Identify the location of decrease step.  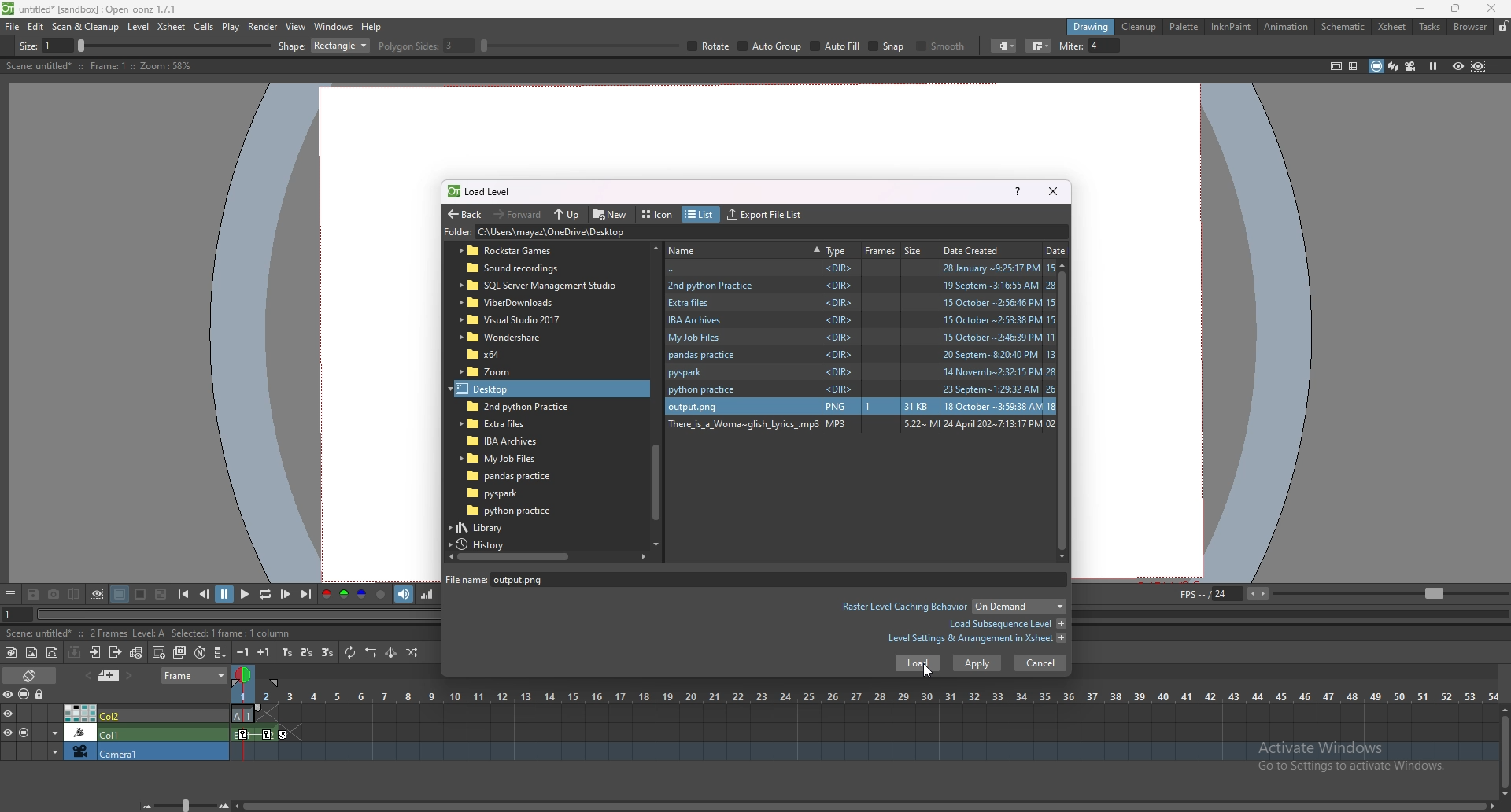
(243, 652).